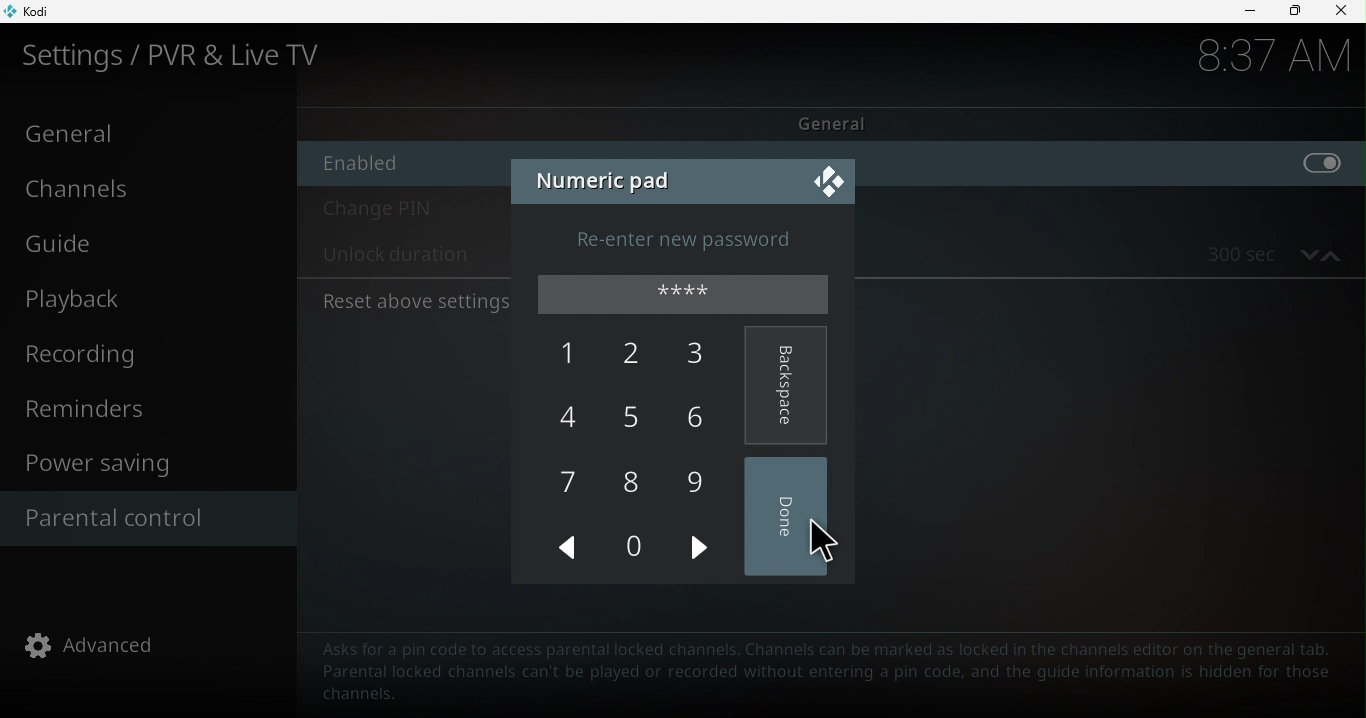  I want to click on Backspace, so click(787, 382).